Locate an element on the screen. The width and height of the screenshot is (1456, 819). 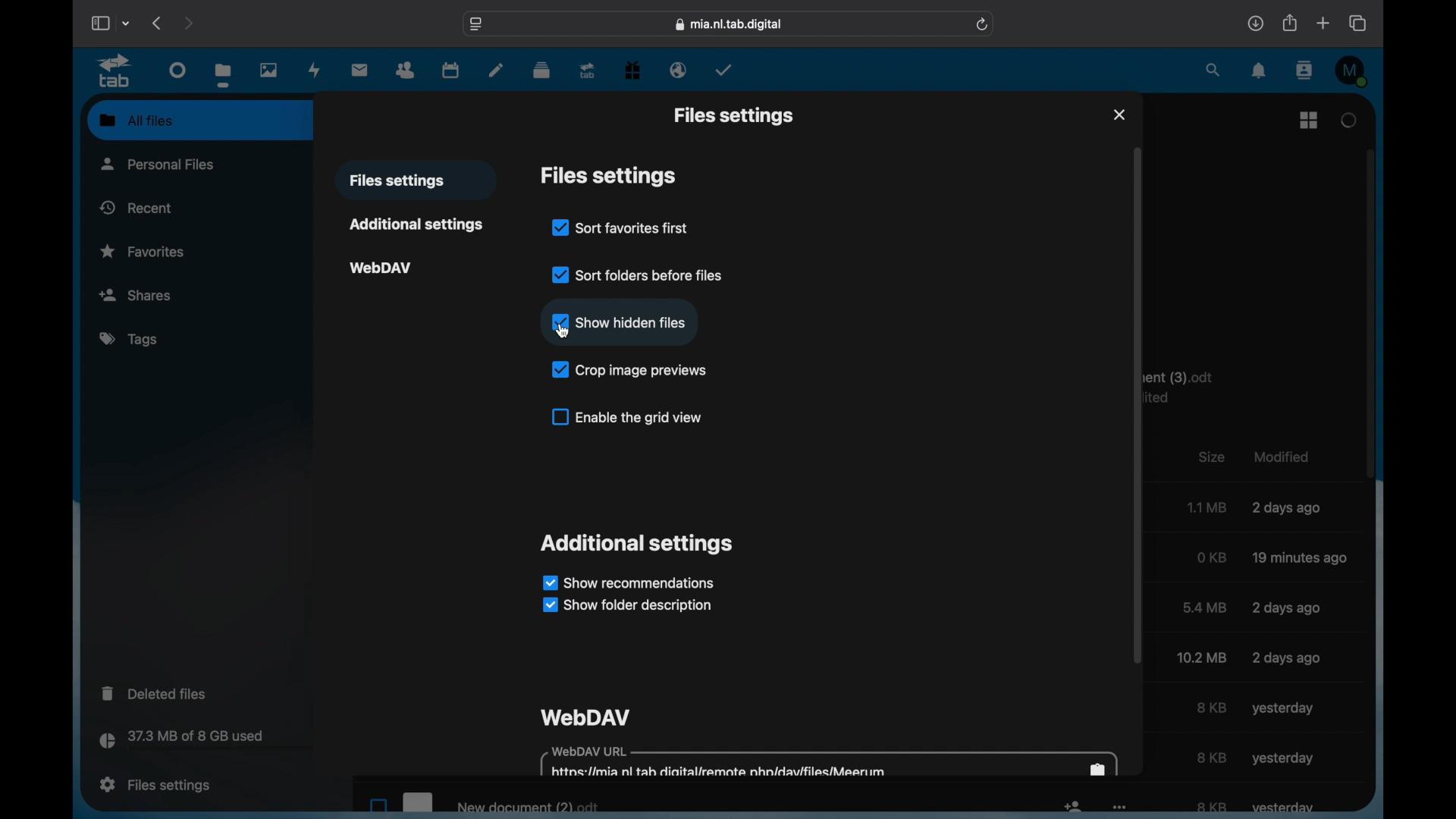
size is located at coordinates (1209, 507).